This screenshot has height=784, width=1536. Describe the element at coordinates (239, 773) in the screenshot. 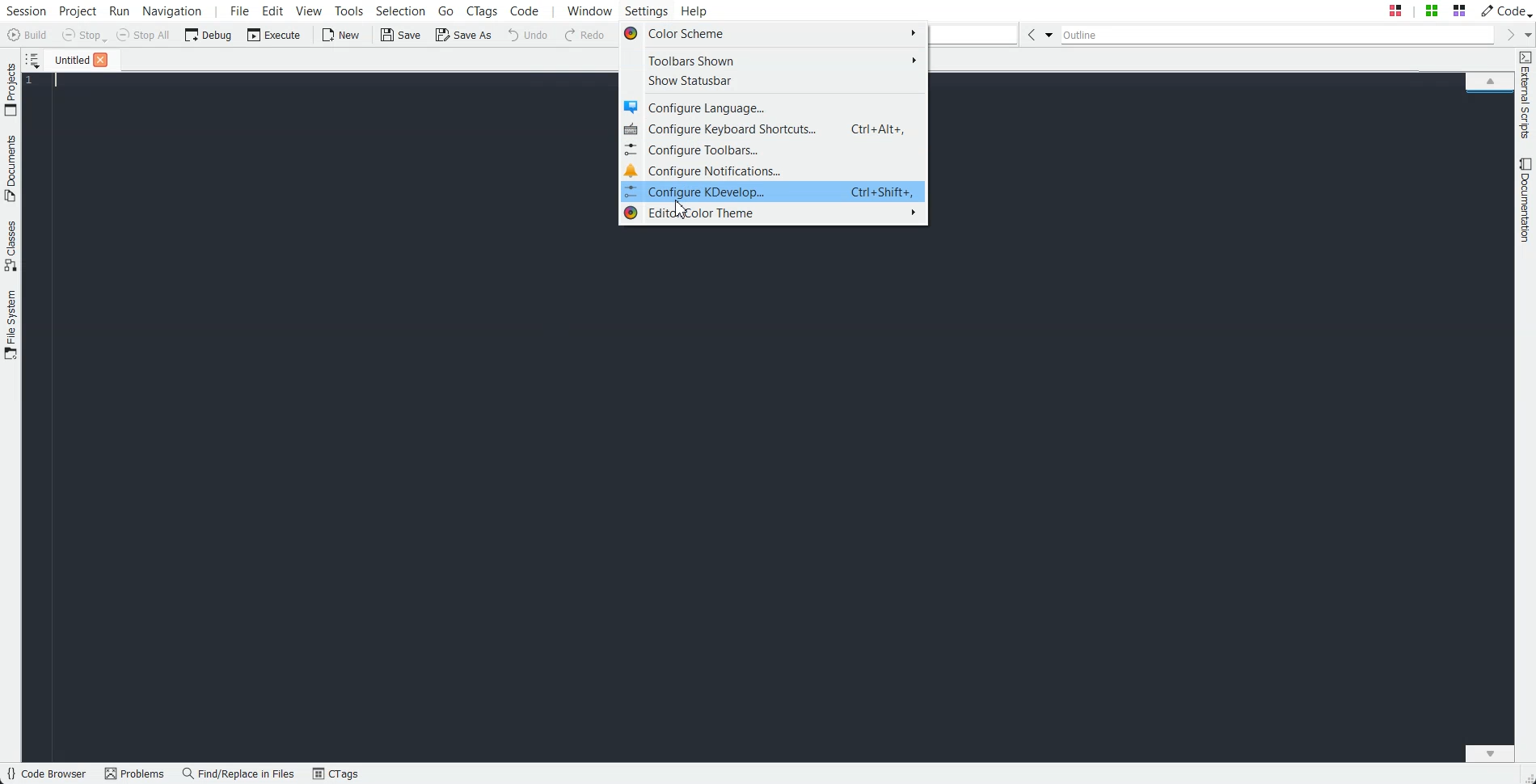

I see `Find/Replace in files` at that location.